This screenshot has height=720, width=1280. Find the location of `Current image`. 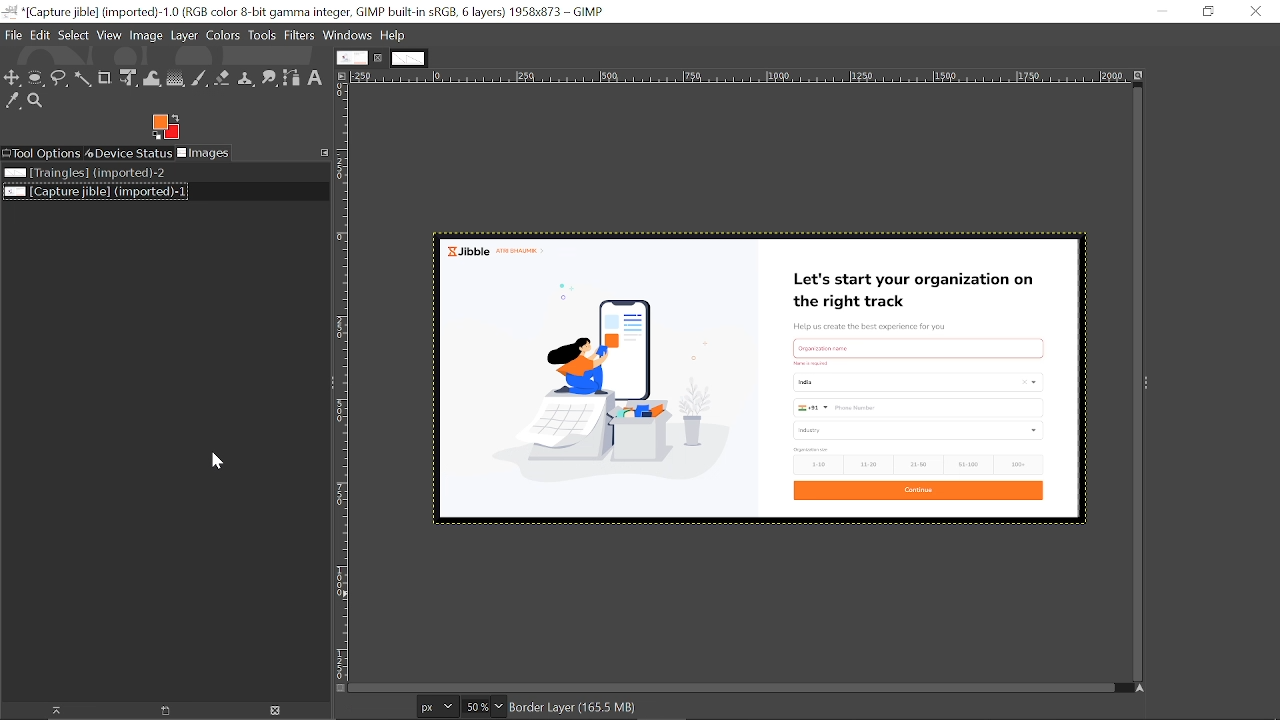

Current image is located at coordinates (597, 390).